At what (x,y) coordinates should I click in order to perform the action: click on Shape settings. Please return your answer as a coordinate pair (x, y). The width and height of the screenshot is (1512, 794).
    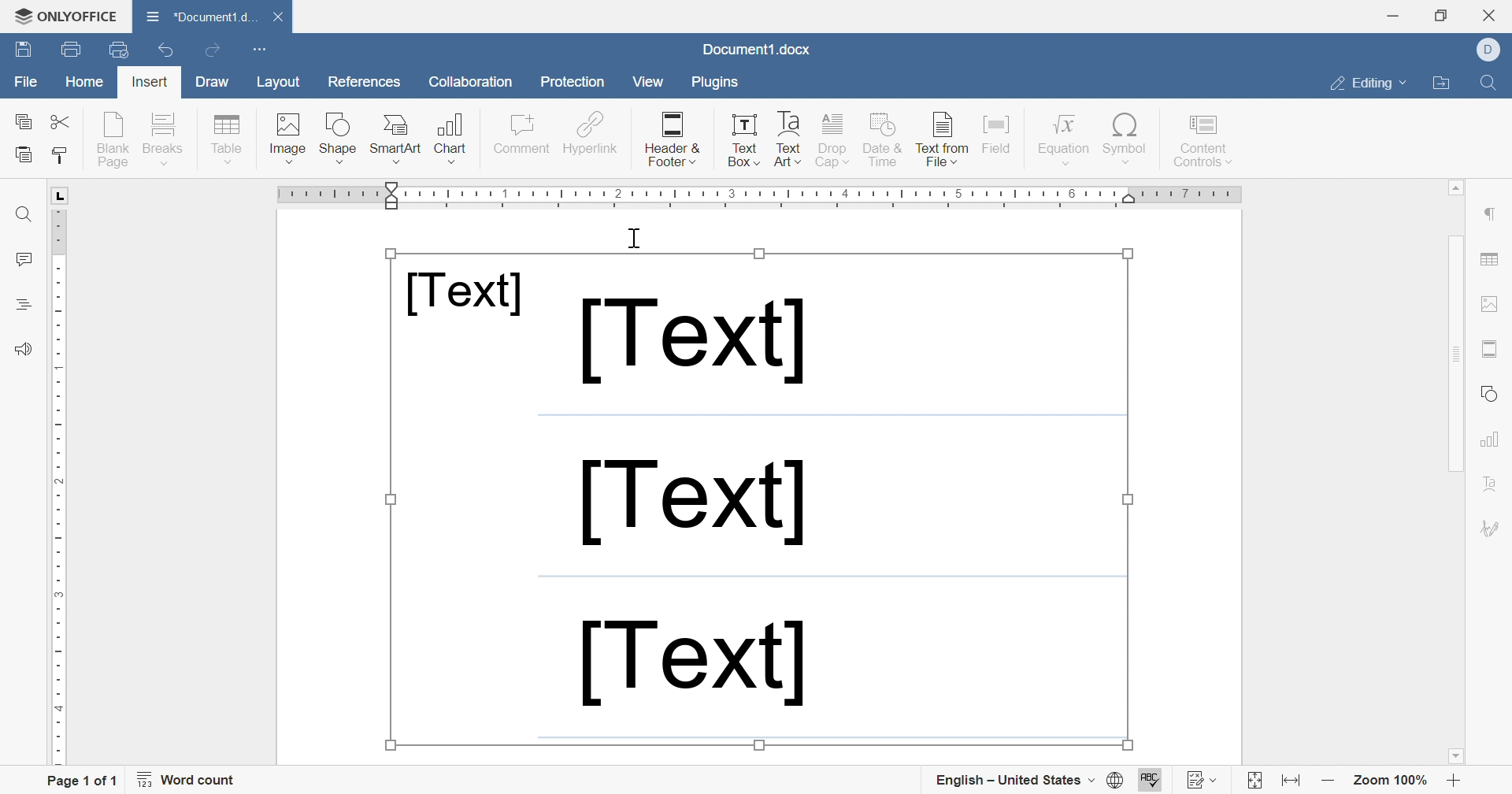
    Looking at the image, I should click on (1490, 395).